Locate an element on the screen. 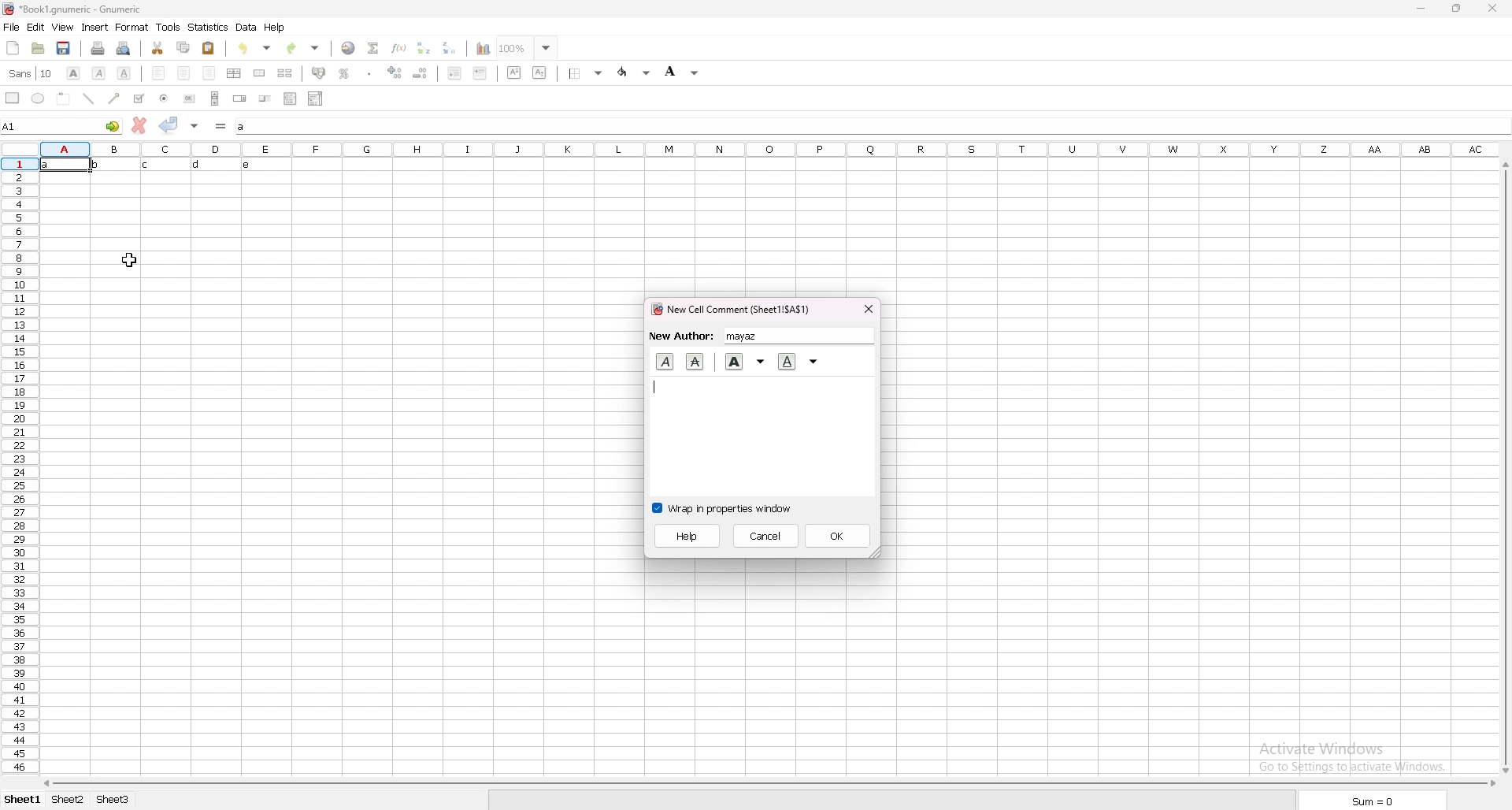  new is located at coordinates (12, 47).